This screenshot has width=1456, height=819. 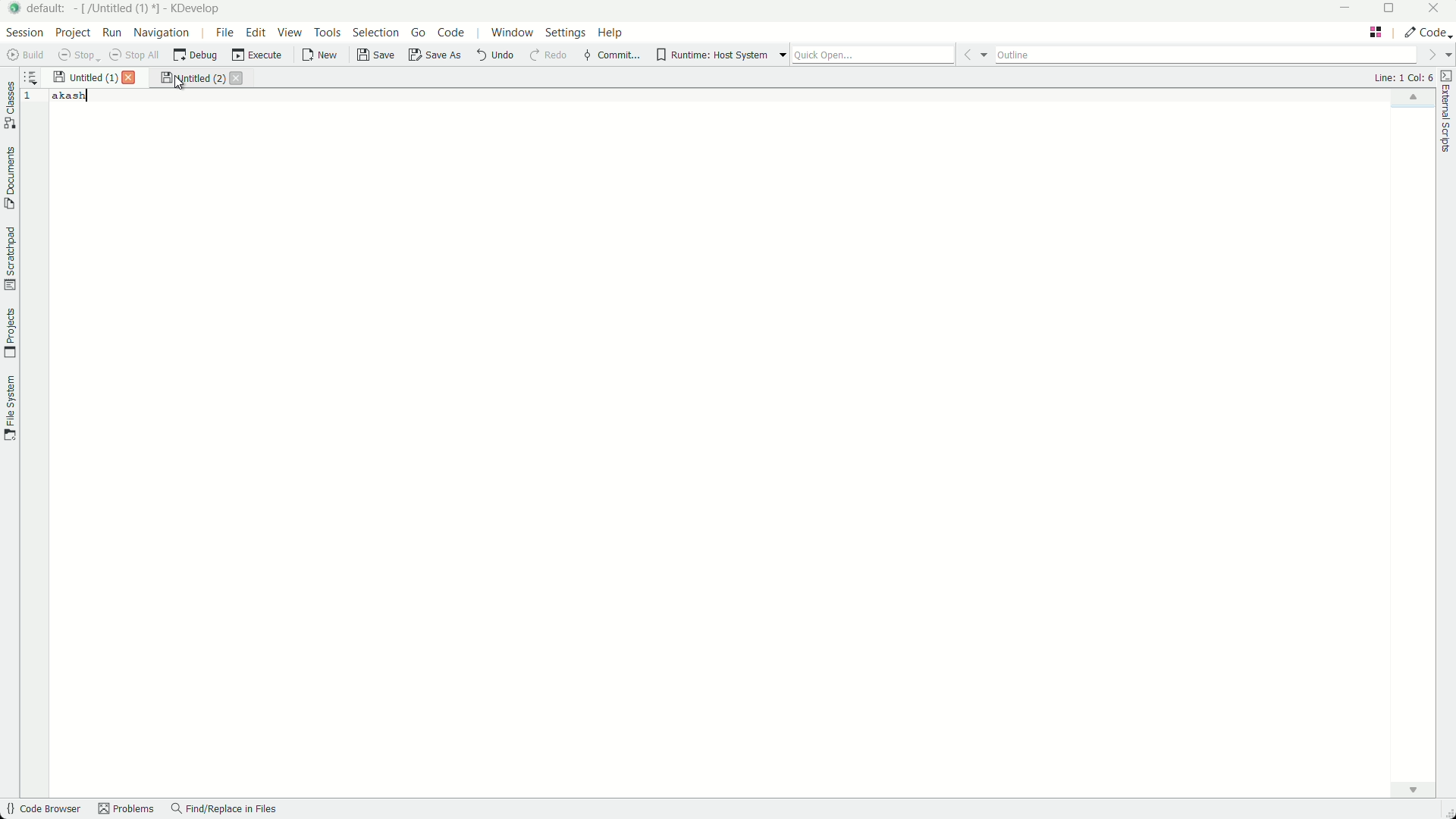 What do you see at coordinates (71, 97) in the screenshot?
I see `akash` at bounding box center [71, 97].